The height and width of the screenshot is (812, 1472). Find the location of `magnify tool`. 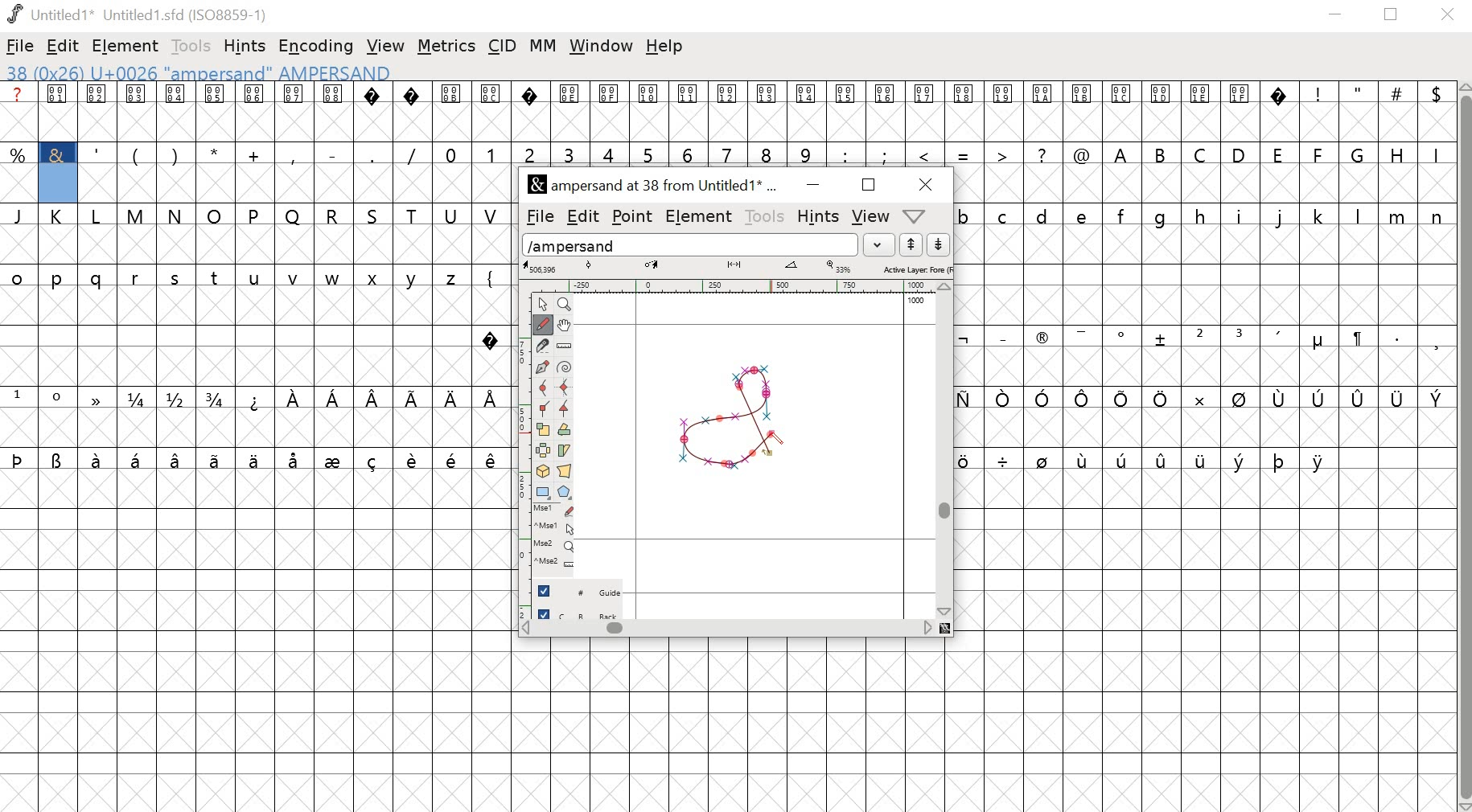

magnify tool is located at coordinates (567, 303).